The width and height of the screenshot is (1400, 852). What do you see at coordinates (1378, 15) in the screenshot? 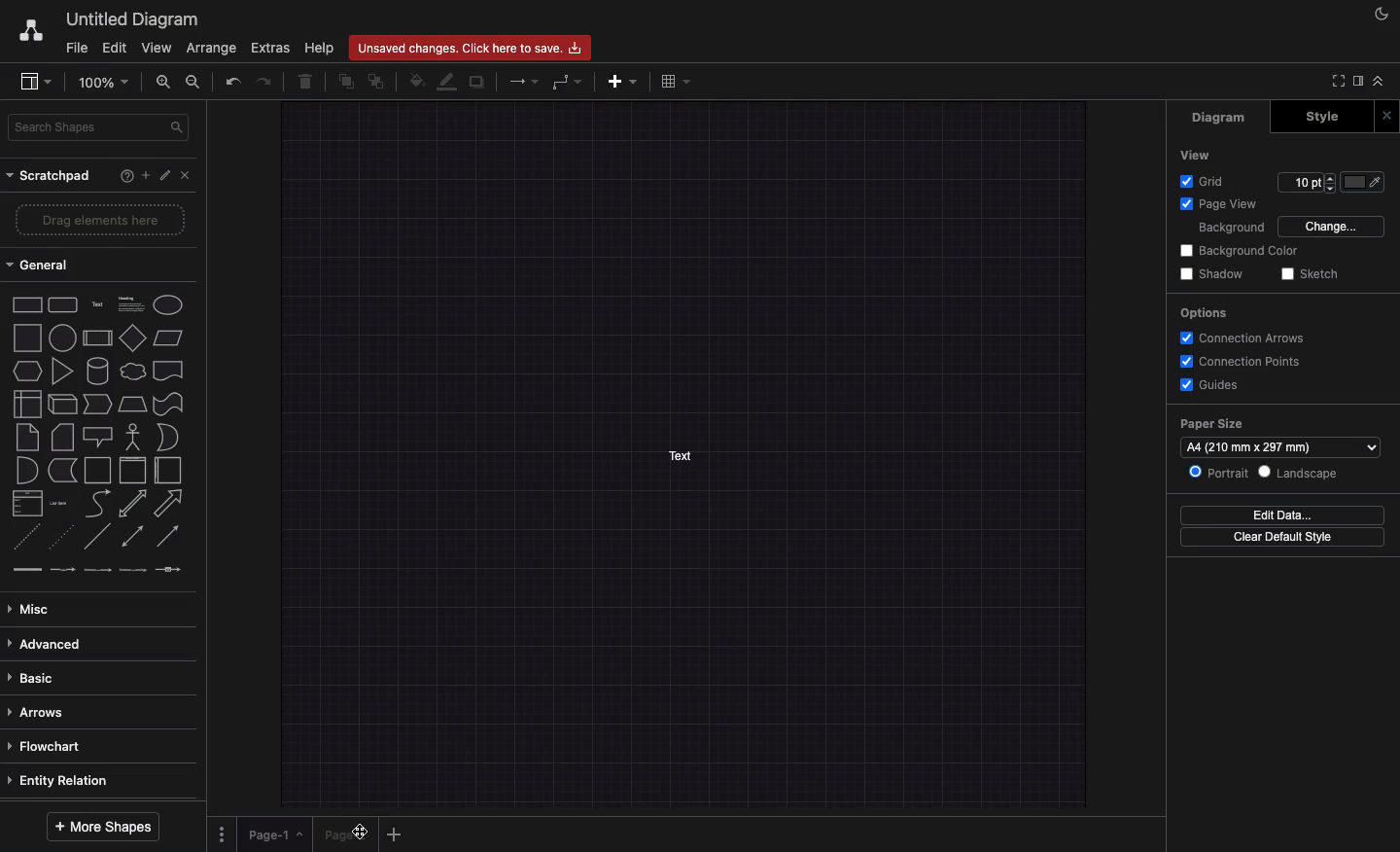
I see `Night mode` at bounding box center [1378, 15].